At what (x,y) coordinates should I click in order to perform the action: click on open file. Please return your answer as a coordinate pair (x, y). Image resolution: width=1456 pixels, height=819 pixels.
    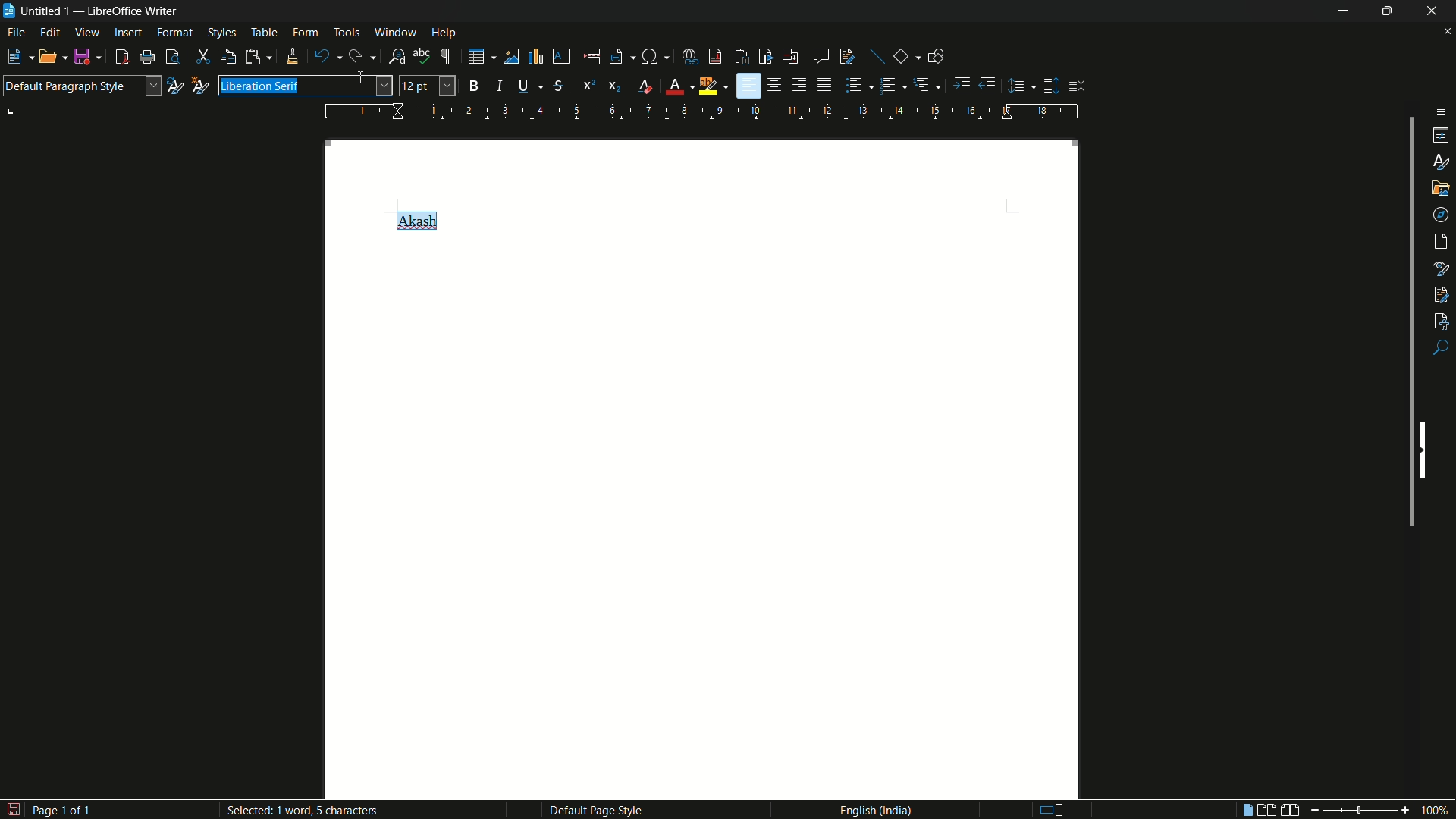
    Looking at the image, I should click on (47, 58).